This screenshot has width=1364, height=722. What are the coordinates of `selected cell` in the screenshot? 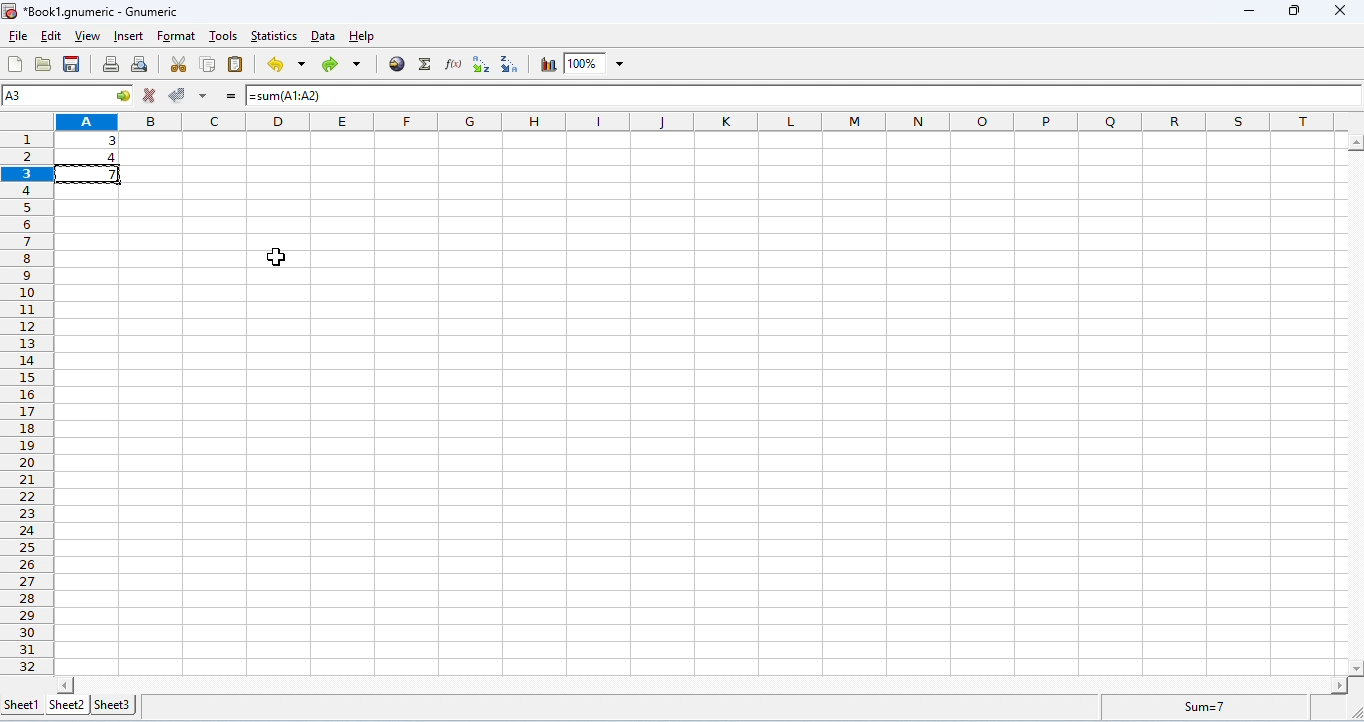 It's located at (67, 97).